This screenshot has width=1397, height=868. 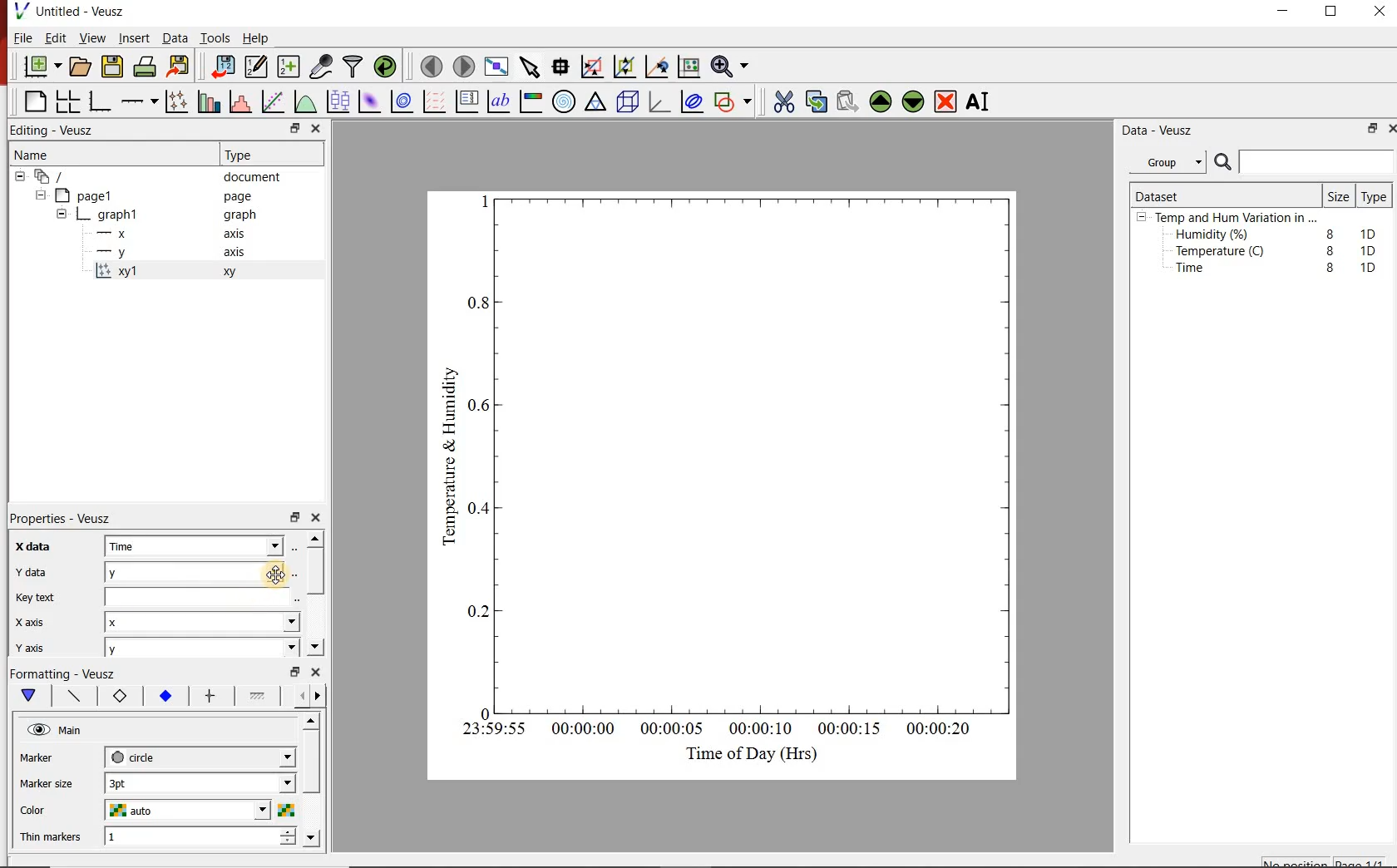 What do you see at coordinates (259, 697) in the screenshot?
I see `fill 1` at bounding box center [259, 697].